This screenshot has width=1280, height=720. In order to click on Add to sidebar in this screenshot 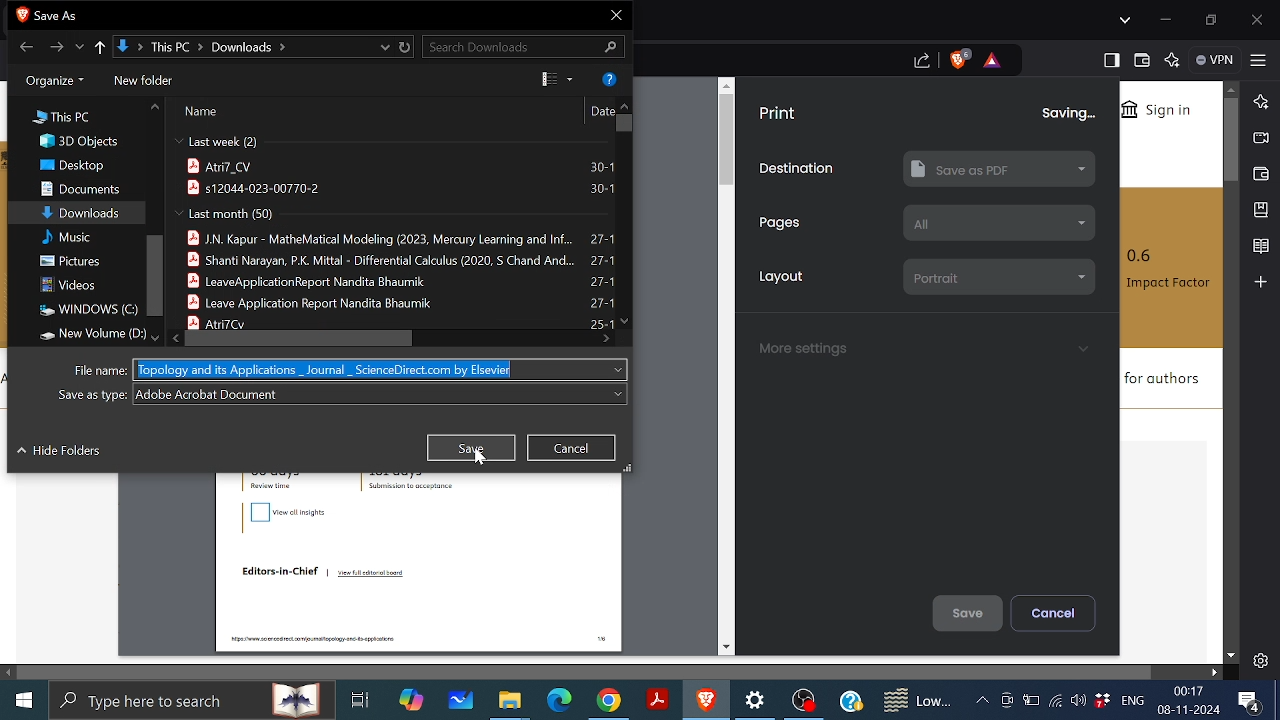, I will do `click(1262, 283)`.